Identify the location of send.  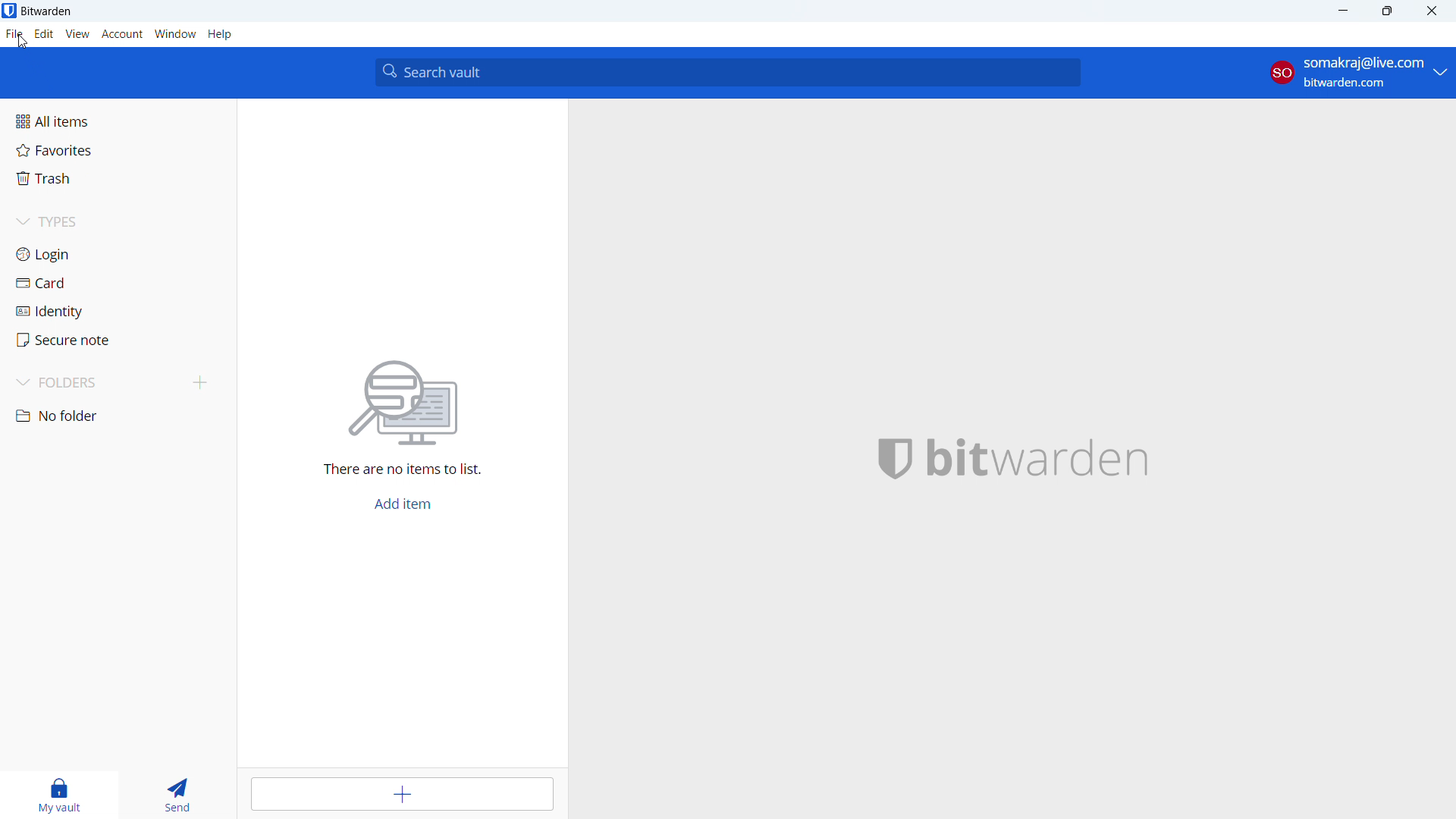
(180, 795).